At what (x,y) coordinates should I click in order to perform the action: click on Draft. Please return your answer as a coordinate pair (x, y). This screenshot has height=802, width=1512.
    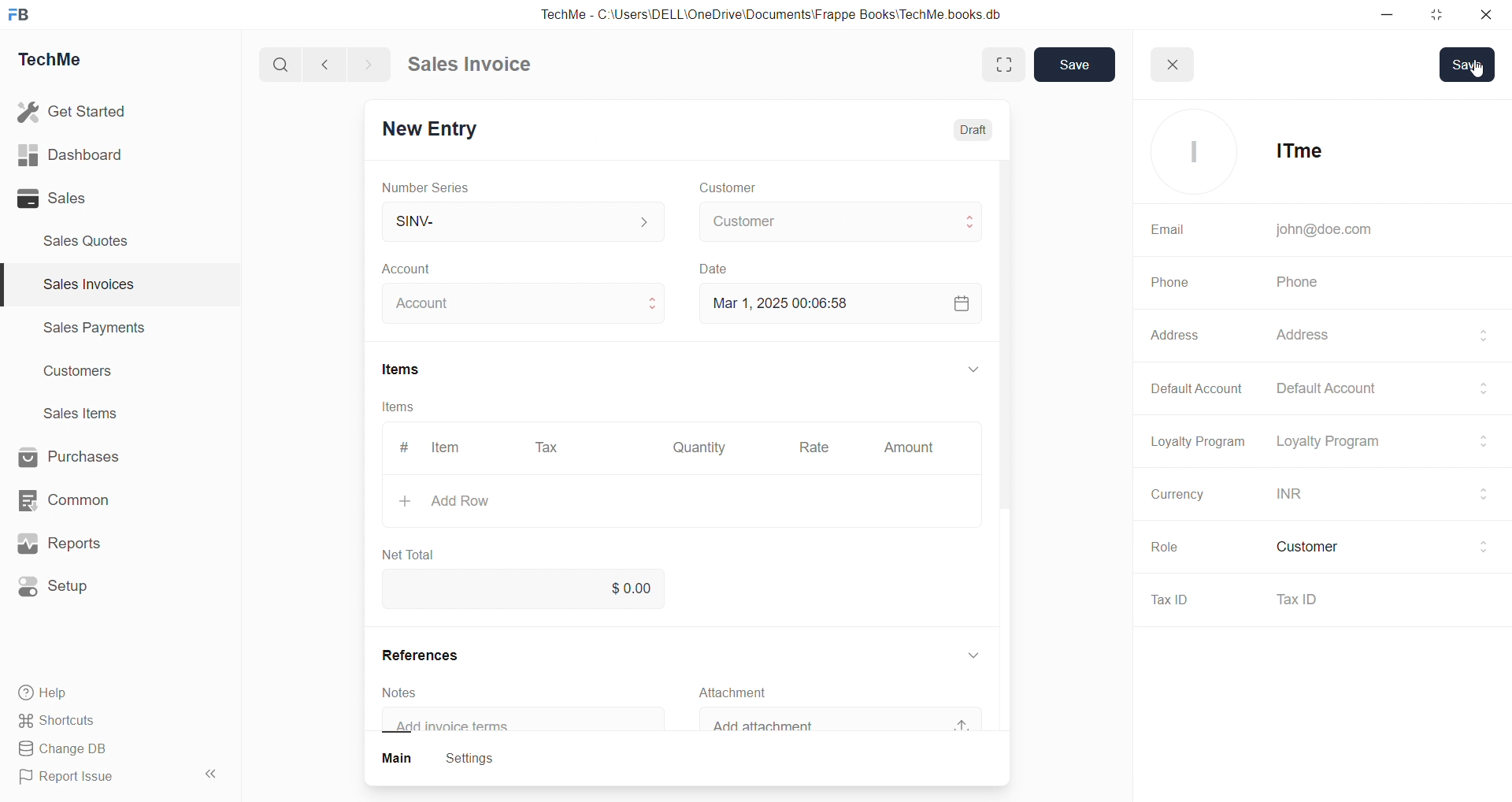
    Looking at the image, I should click on (966, 124).